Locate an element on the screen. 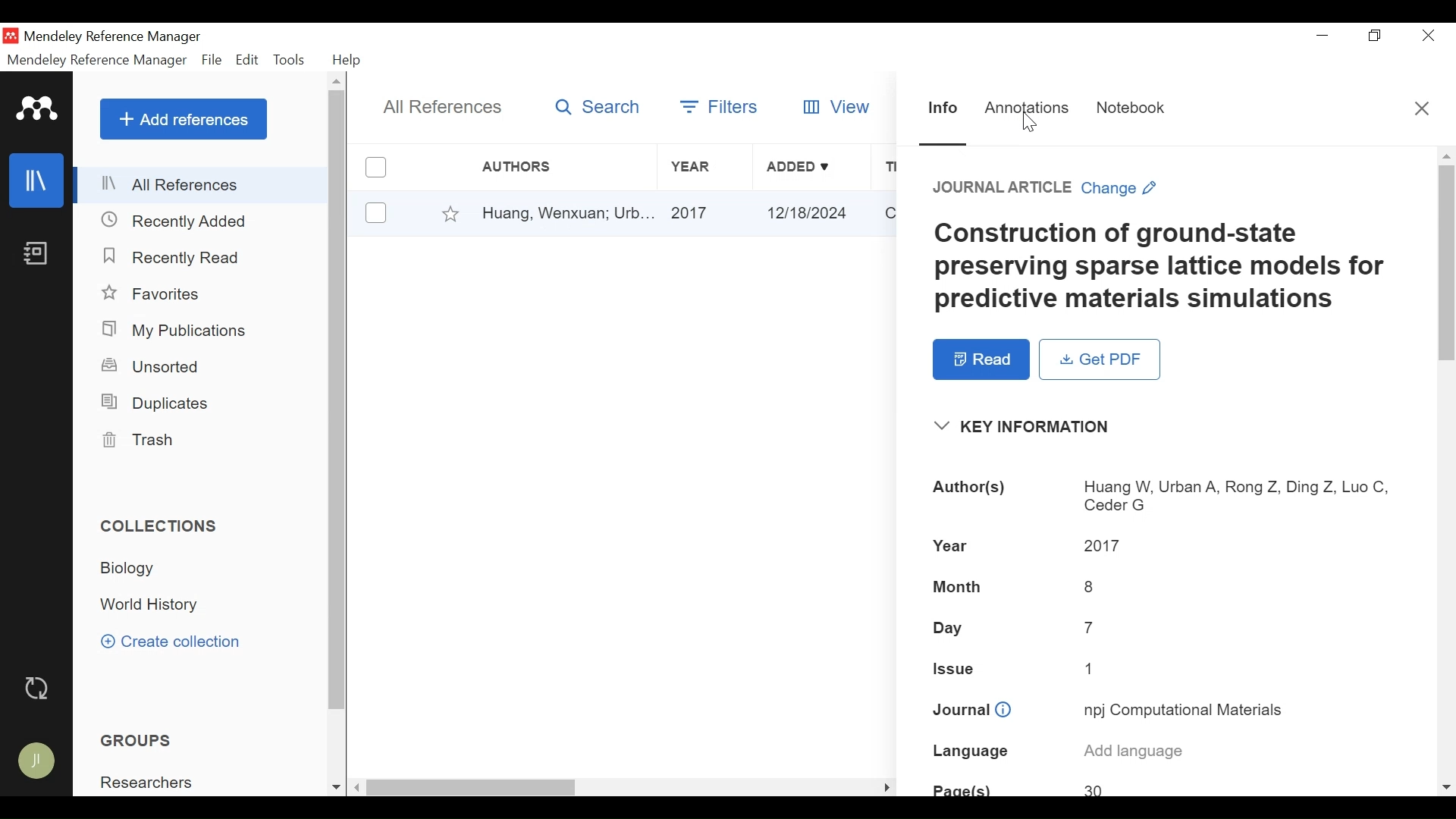 This screenshot has height=819, width=1456. Horizontal Scroll bar is located at coordinates (472, 789).